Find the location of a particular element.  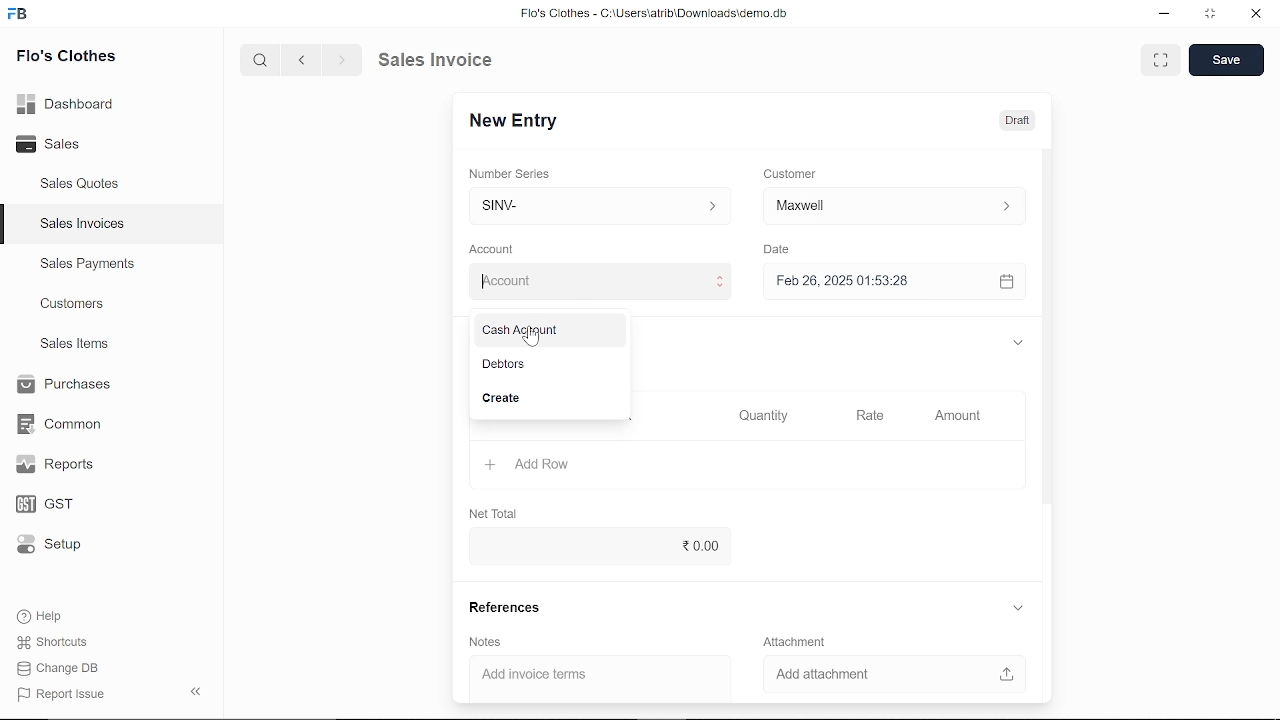

20.00 is located at coordinates (595, 545).